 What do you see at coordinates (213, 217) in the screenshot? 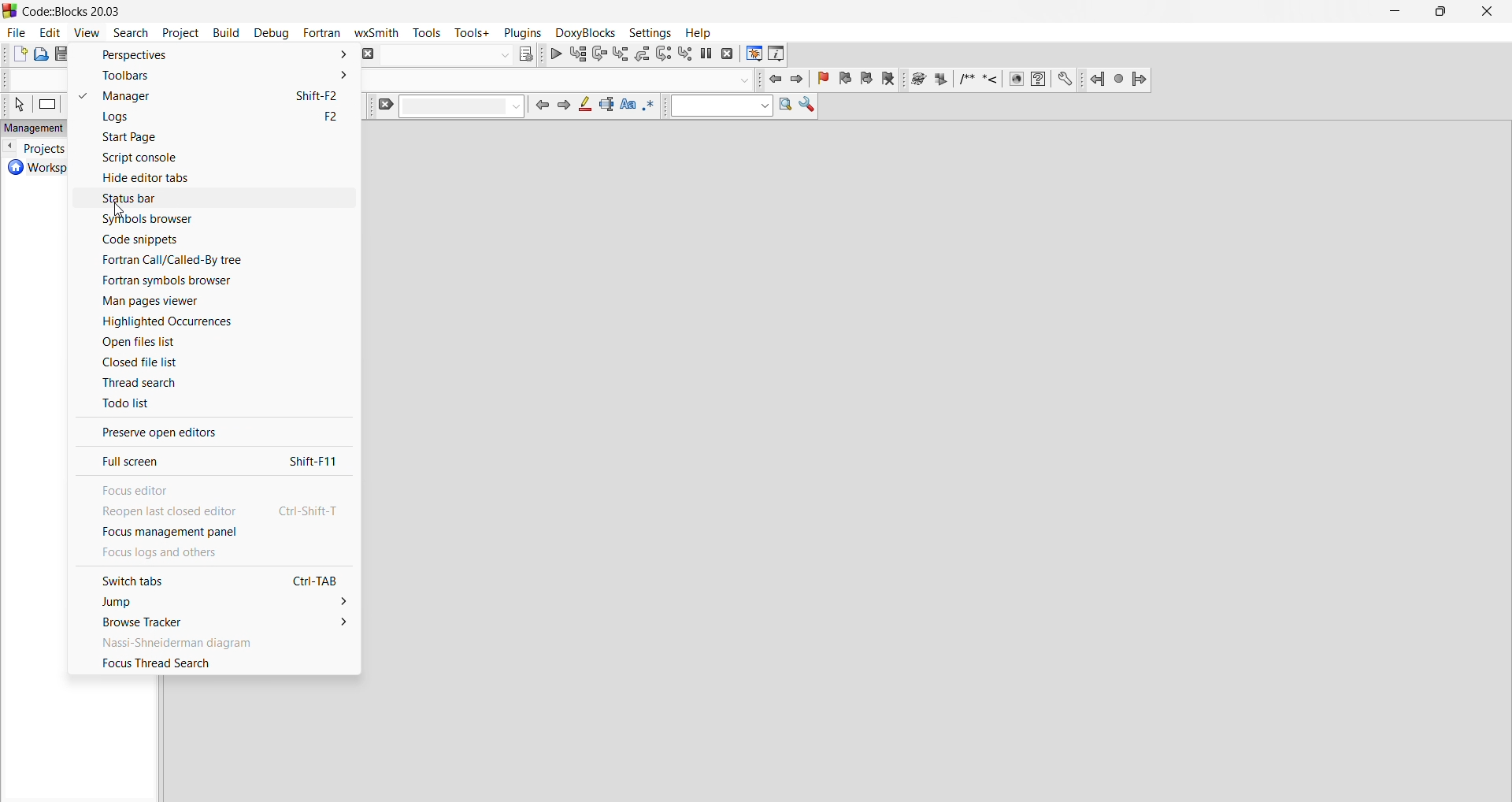
I see `symbols browser` at bounding box center [213, 217].